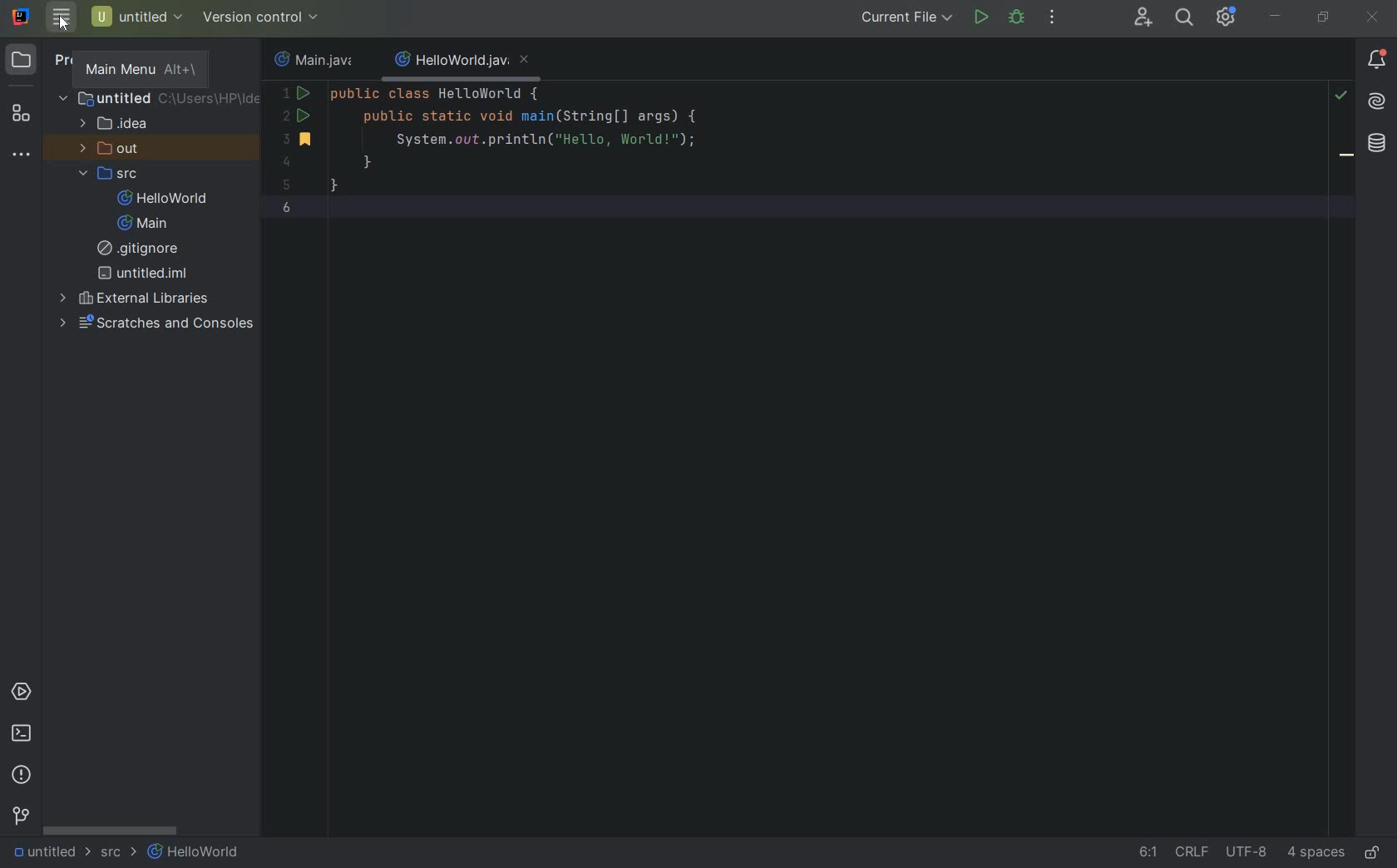 This screenshot has height=868, width=1397. I want to click on EXTERNAL LIBRARIES, so click(136, 298).